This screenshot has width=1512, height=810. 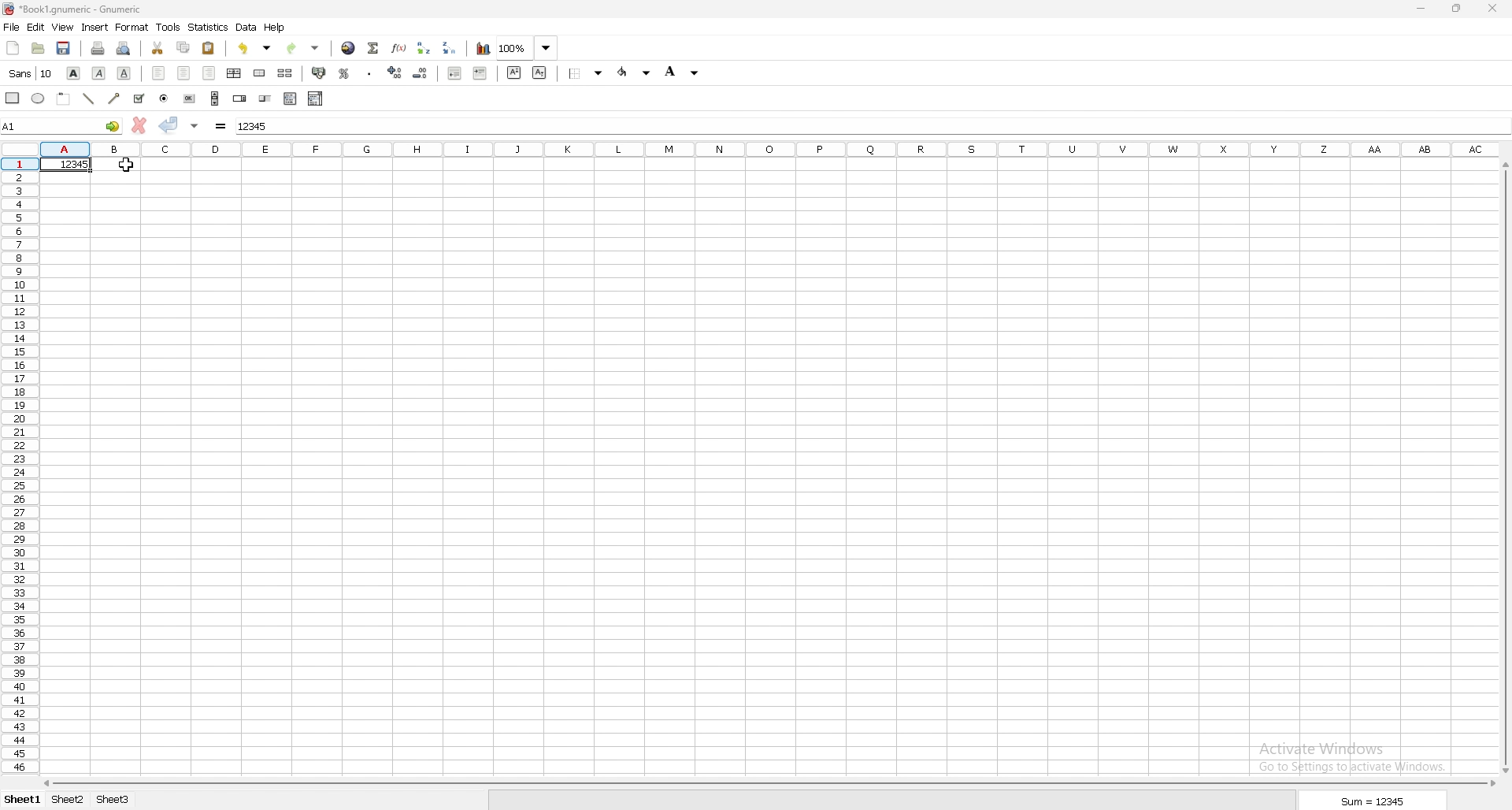 What do you see at coordinates (159, 48) in the screenshot?
I see `cut` at bounding box center [159, 48].